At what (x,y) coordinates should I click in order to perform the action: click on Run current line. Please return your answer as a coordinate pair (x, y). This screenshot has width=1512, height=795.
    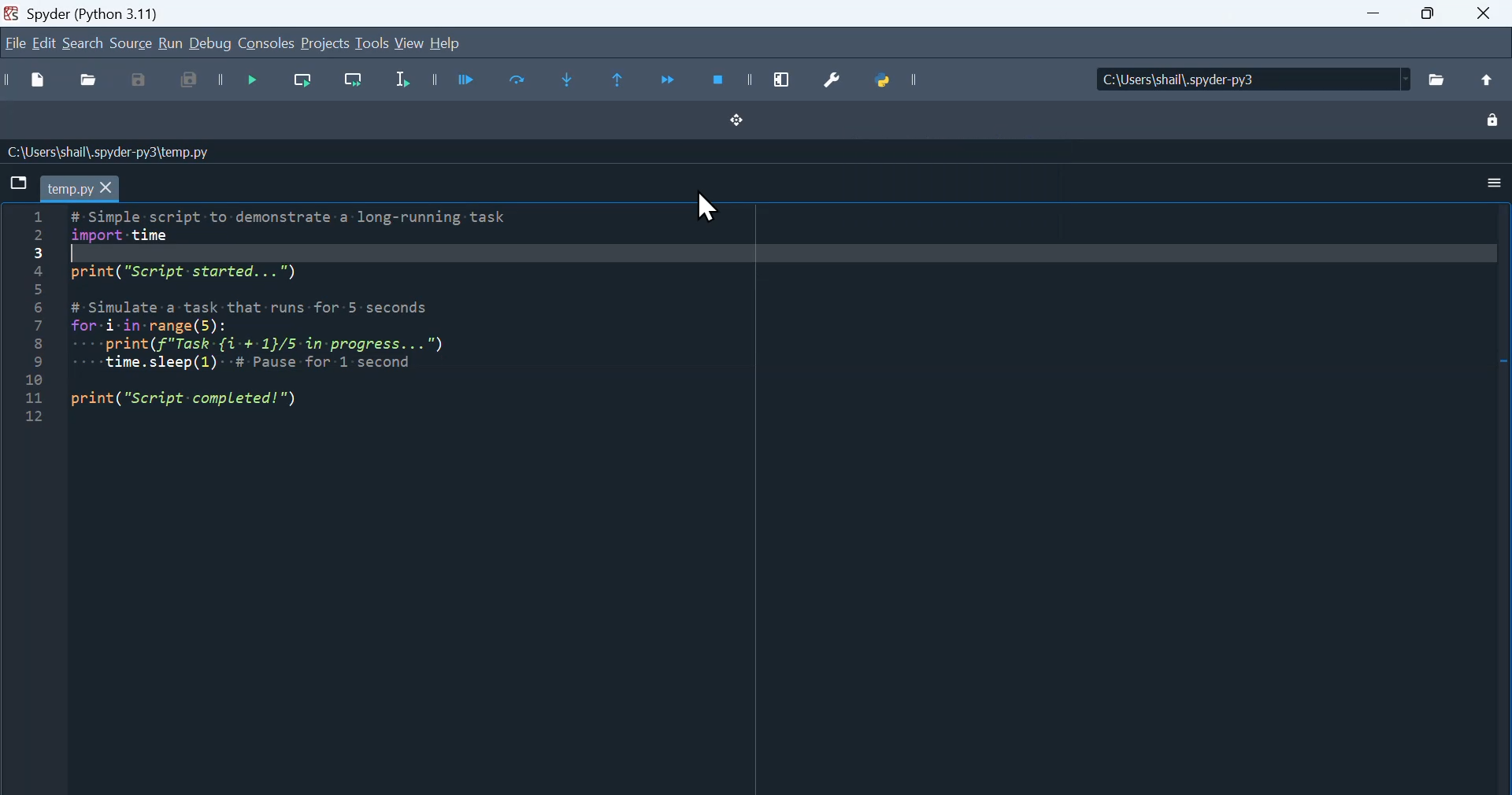
    Looking at the image, I should click on (303, 85).